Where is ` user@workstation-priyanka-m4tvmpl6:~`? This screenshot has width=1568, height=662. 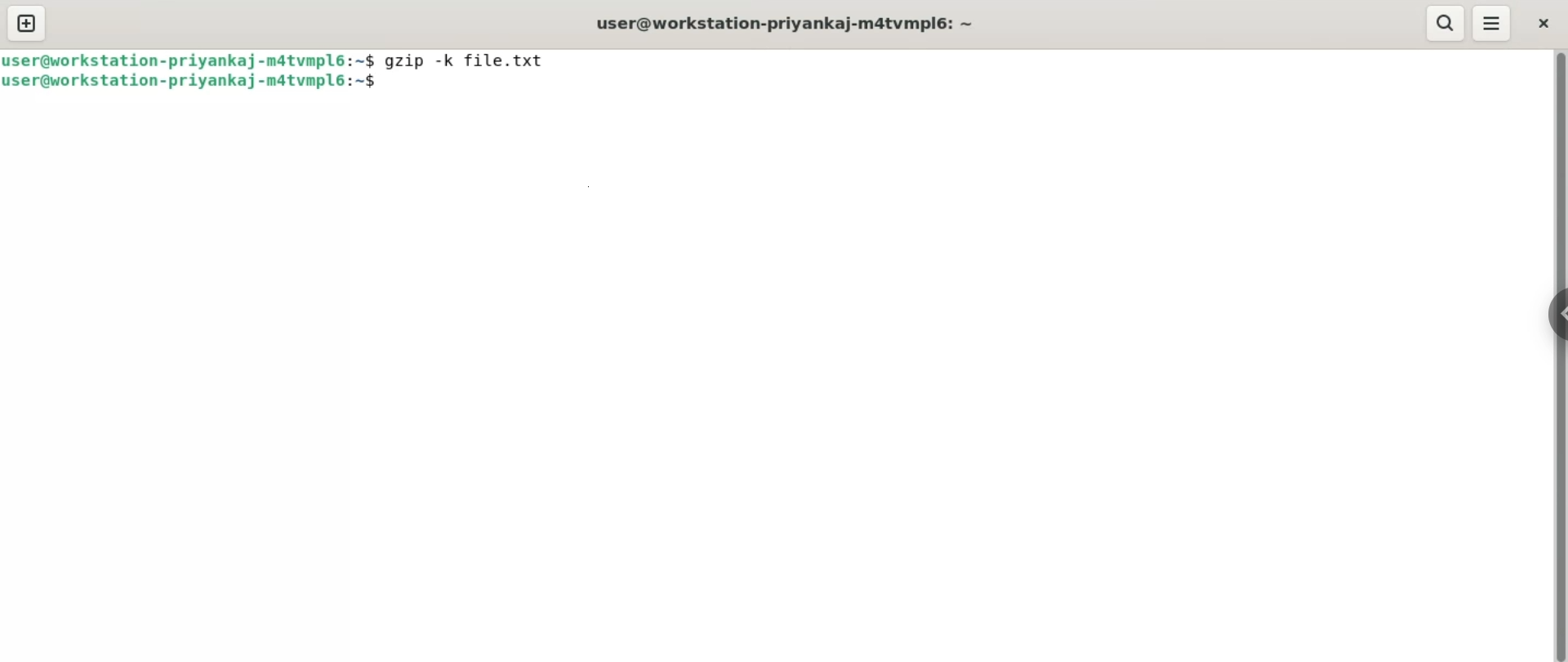  user@workstation-priyanka-m4tvmpl6:~ is located at coordinates (189, 83).